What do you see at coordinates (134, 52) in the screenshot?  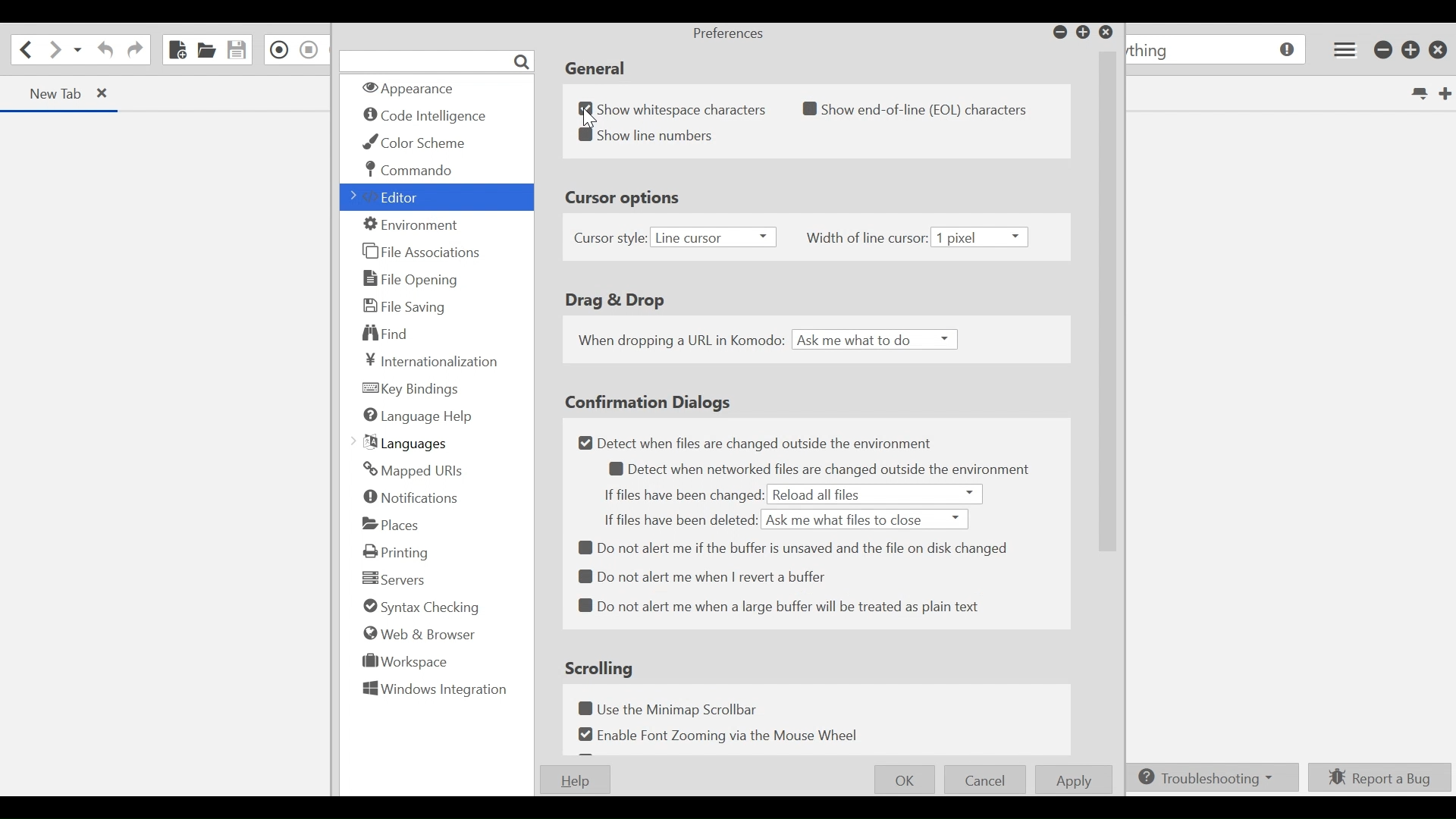 I see `Redo last Action` at bounding box center [134, 52].